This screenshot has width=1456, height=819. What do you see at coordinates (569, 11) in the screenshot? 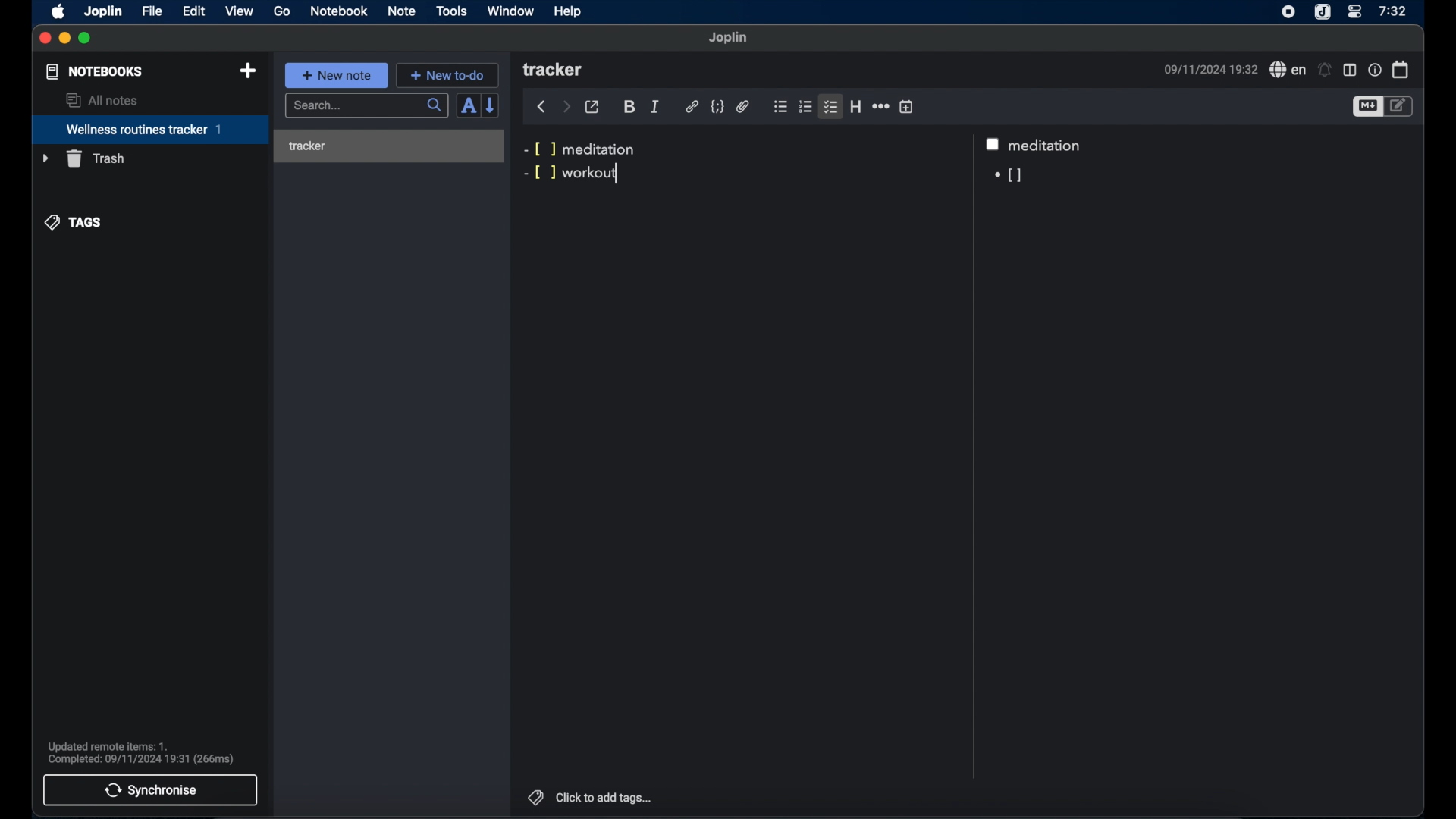
I see `help` at bounding box center [569, 11].